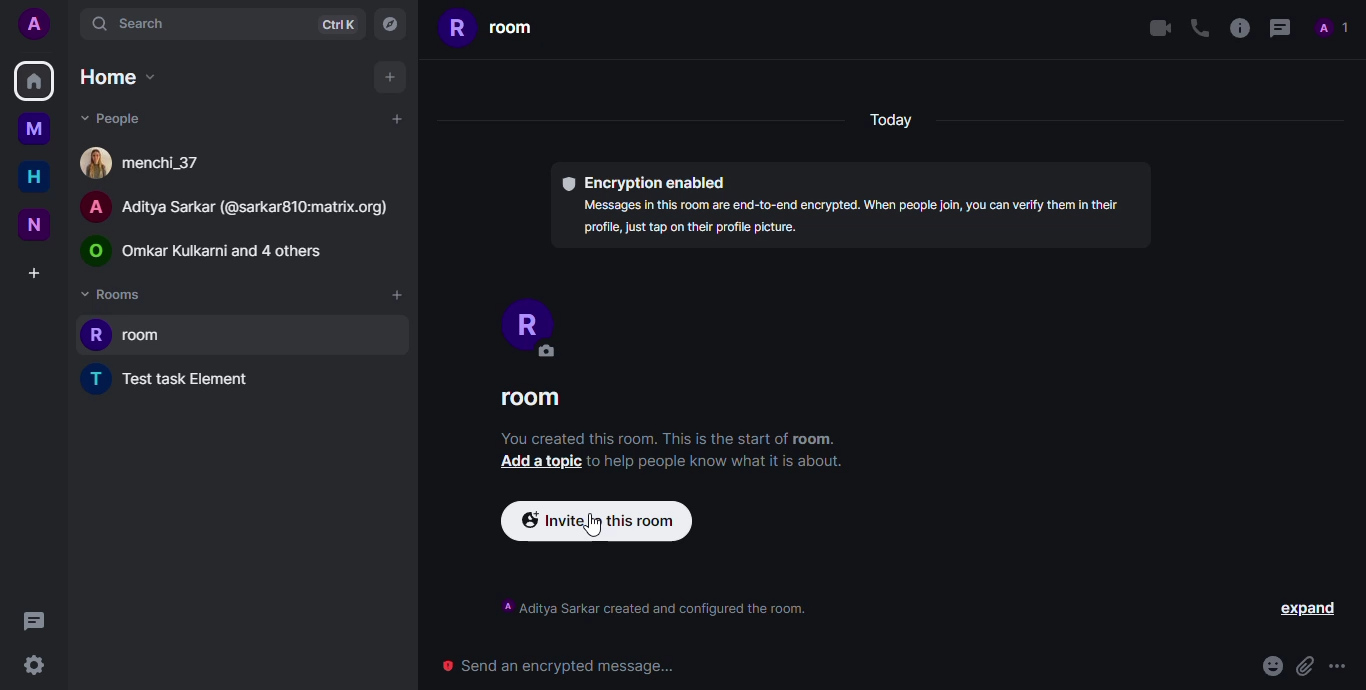 The height and width of the screenshot is (690, 1366). Describe the element at coordinates (391, 78) in the screenshot. I see `add` at that location.